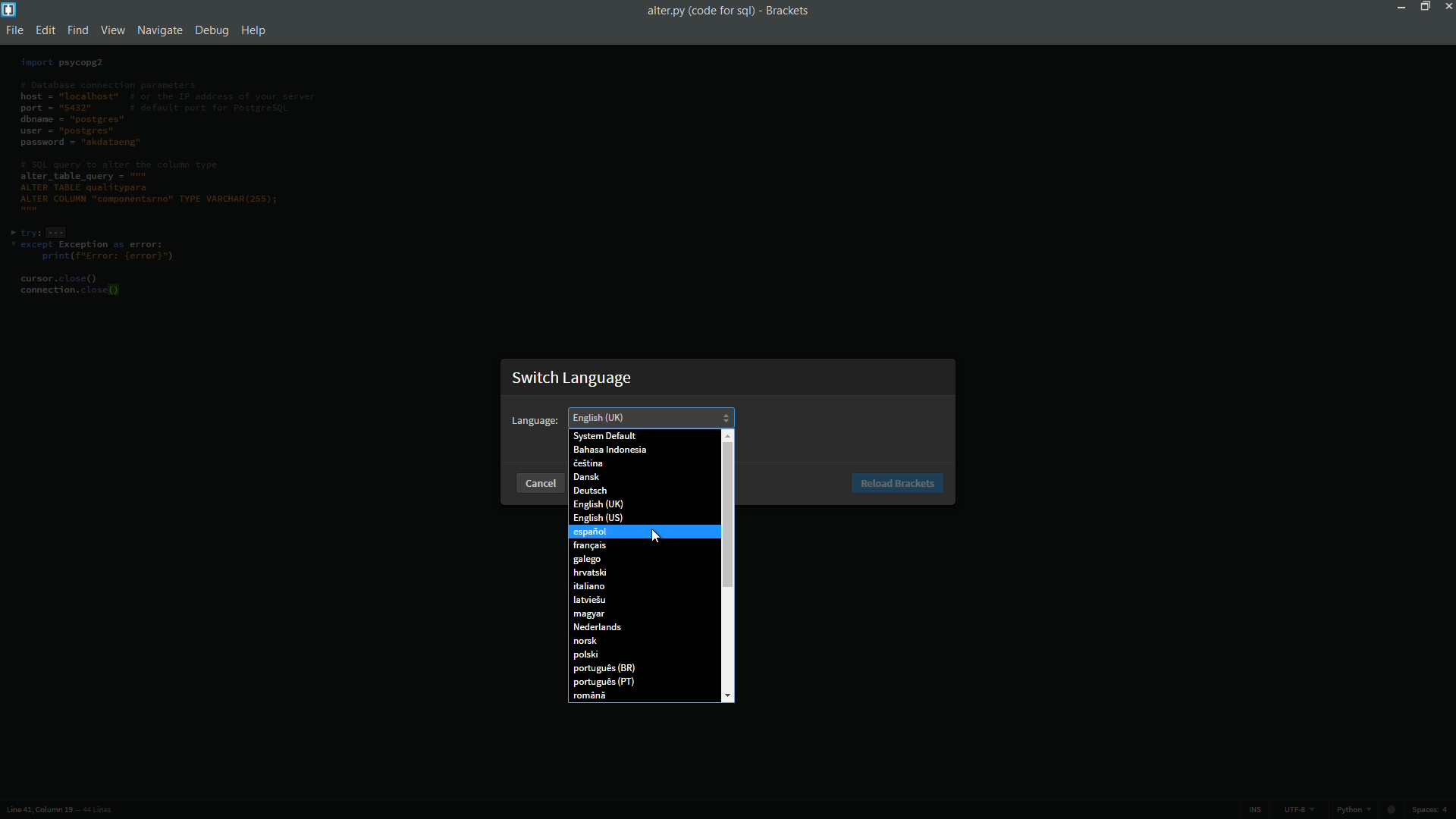 Image resolution: width=1456 pixels, height=819 pixels. I want to click on help menu, so click(253, 30).